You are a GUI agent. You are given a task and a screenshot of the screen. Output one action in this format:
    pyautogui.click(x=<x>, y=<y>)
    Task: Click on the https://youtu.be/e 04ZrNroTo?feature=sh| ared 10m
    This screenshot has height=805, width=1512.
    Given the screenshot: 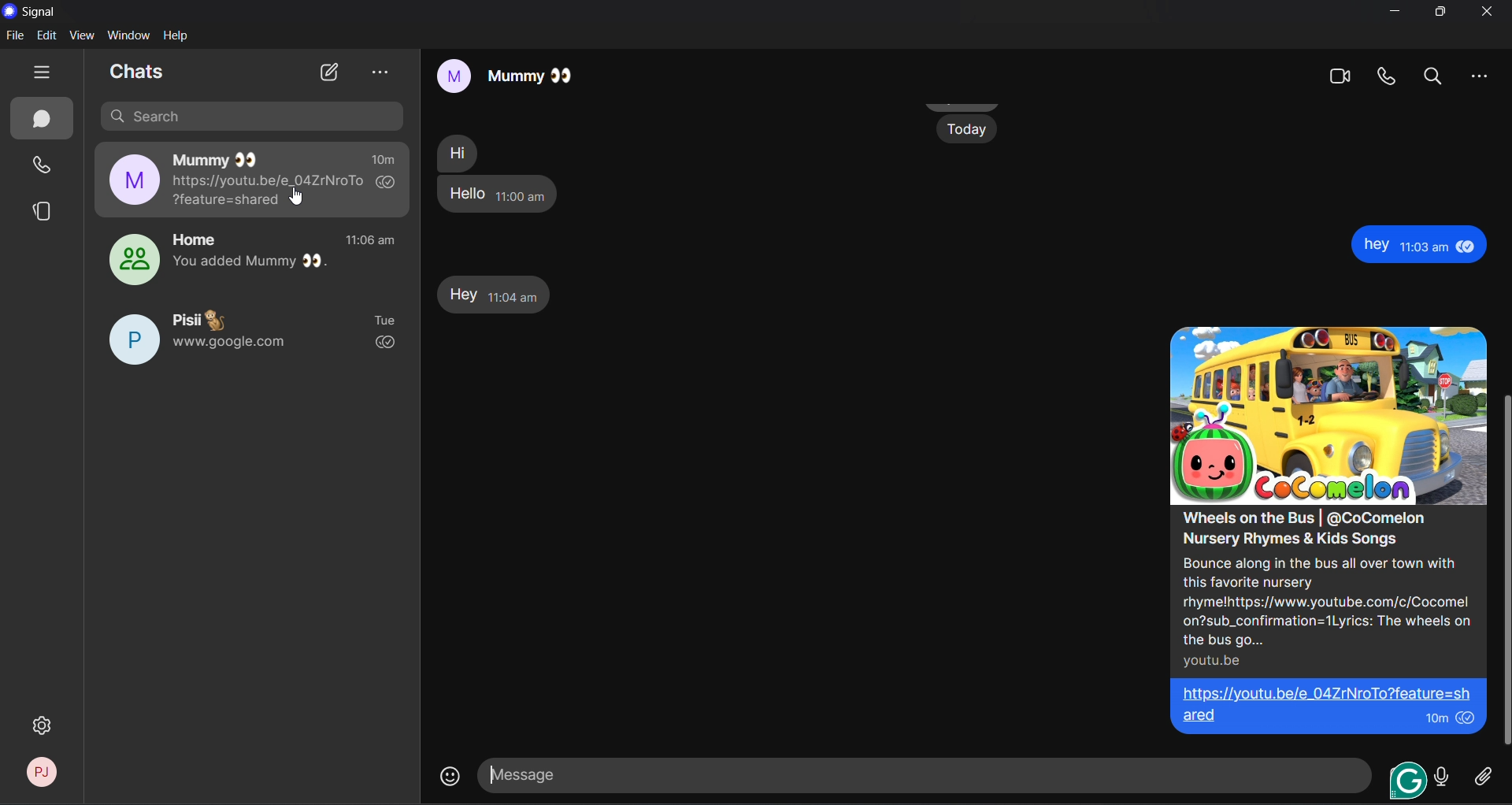 What is the action you would take?
    pyautogui.click(x=1319, y=708)
    